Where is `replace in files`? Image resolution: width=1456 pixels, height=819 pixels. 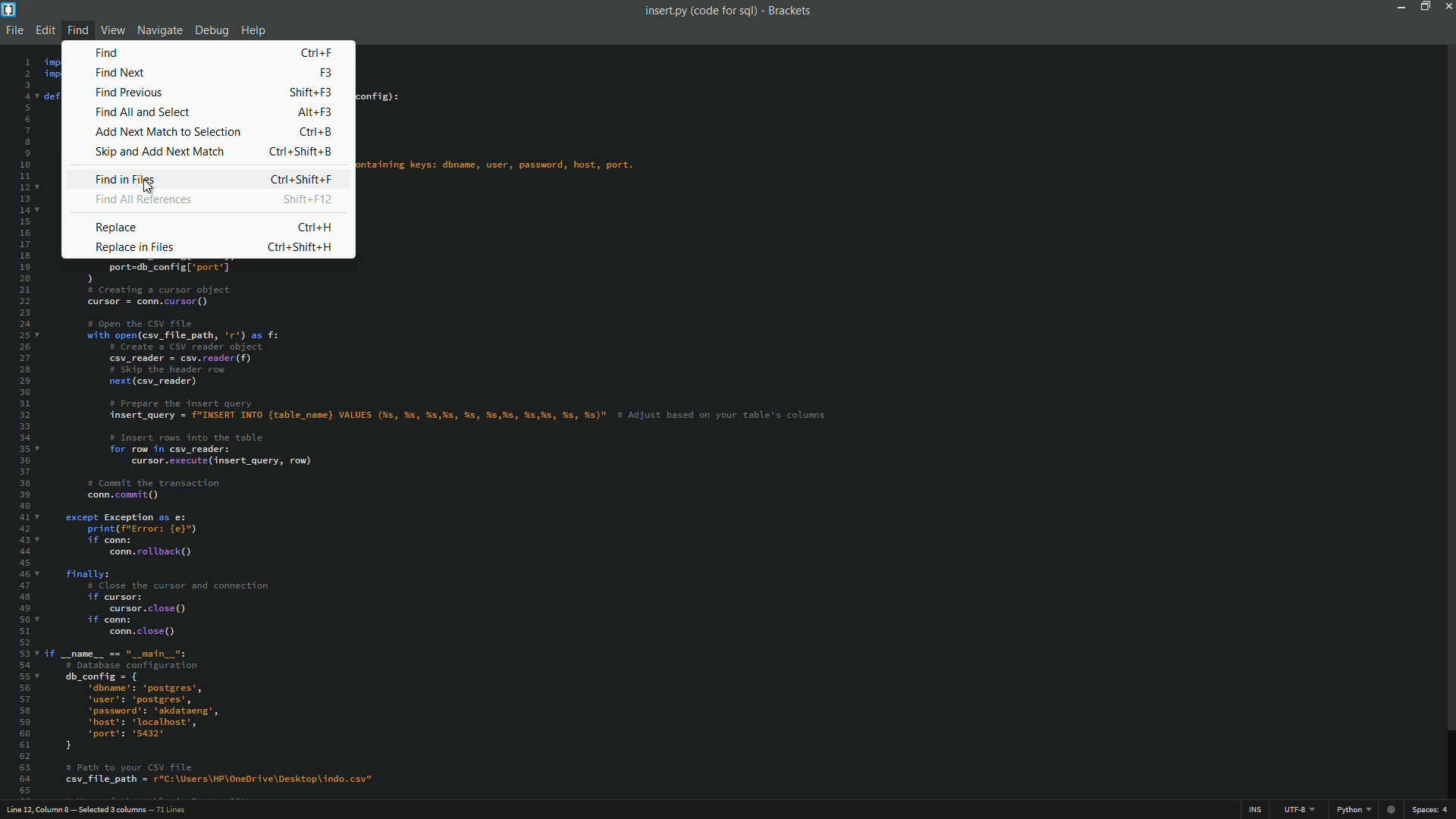
replace in files is located at coordinates (139, 248).